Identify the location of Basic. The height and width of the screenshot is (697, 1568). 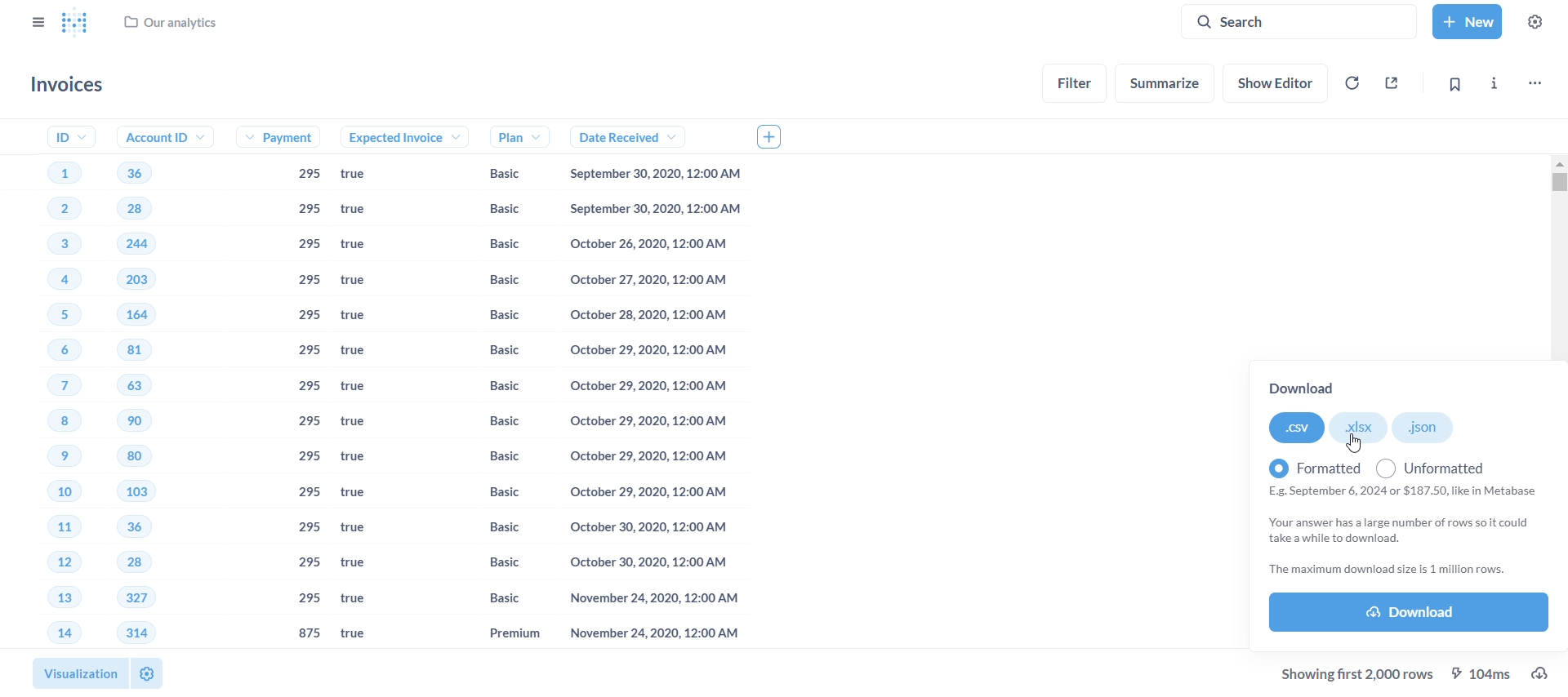
(491, 245).